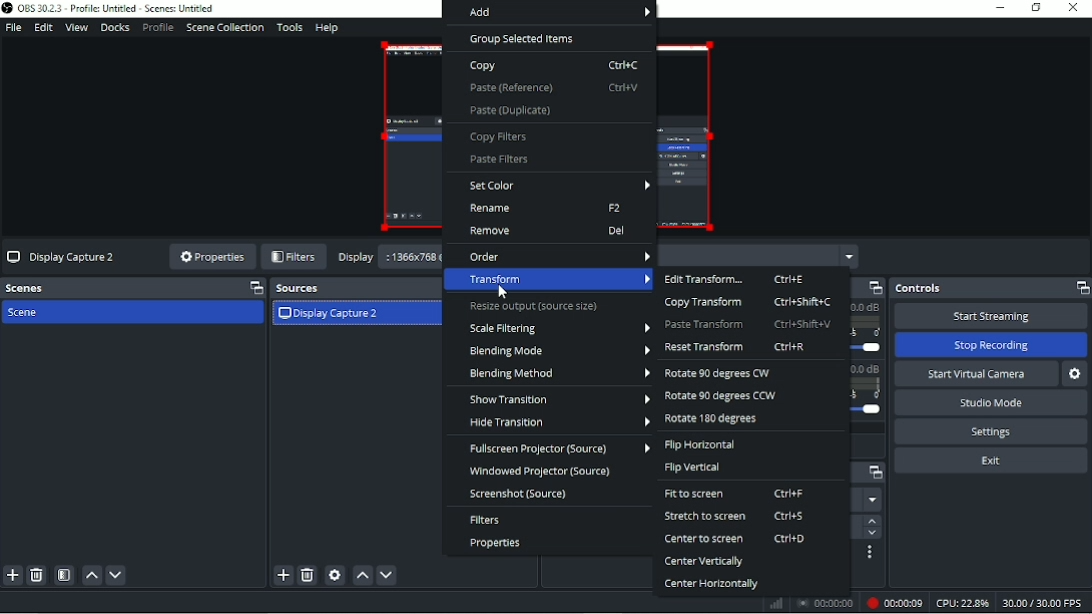 Image resolution: width=1092 pixels, height=614 pixels. I want to click on Flip horizontal, so click(701, 445).